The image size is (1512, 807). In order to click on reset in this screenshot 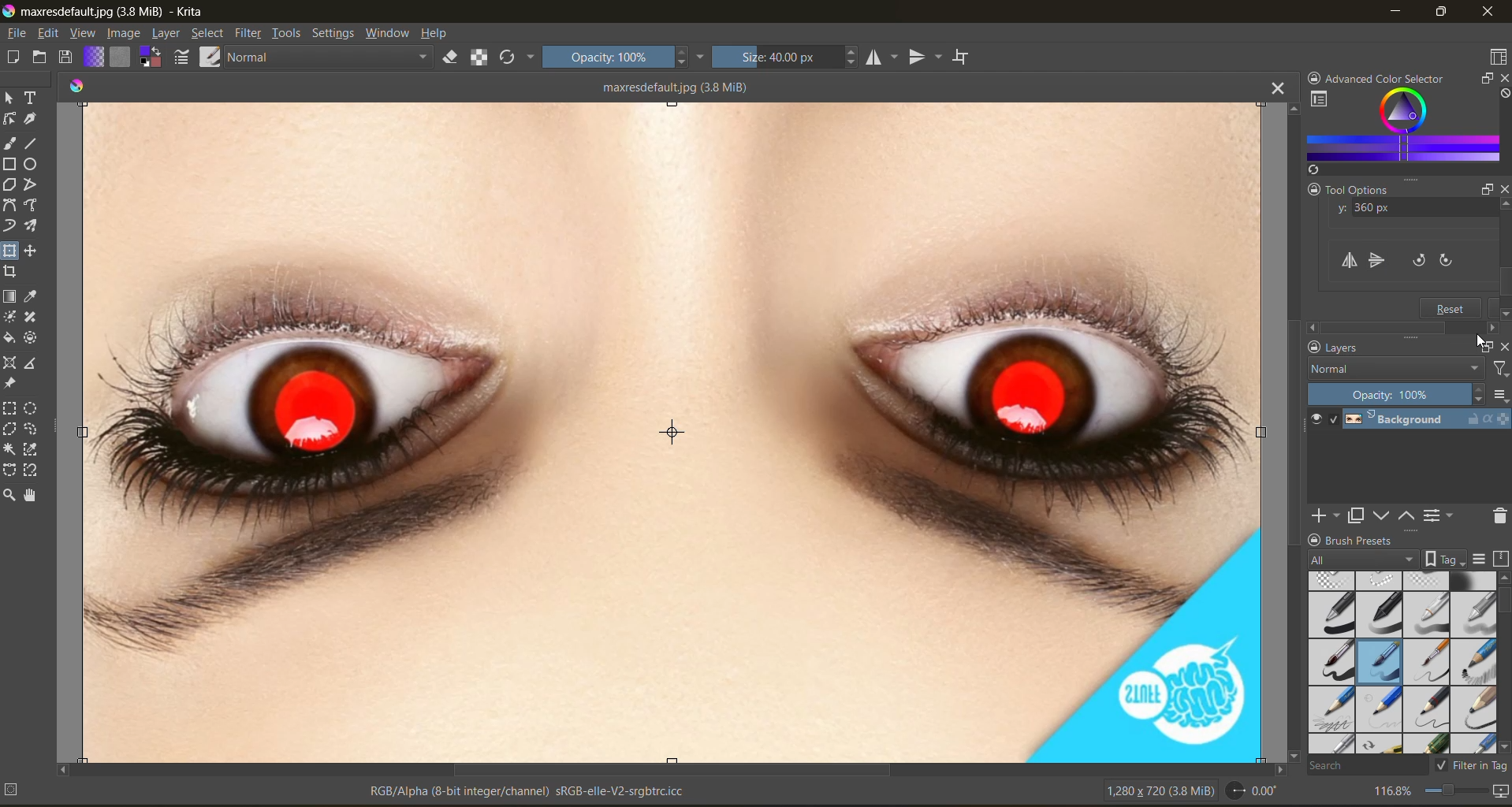, I will do `click(1456, 313)`.